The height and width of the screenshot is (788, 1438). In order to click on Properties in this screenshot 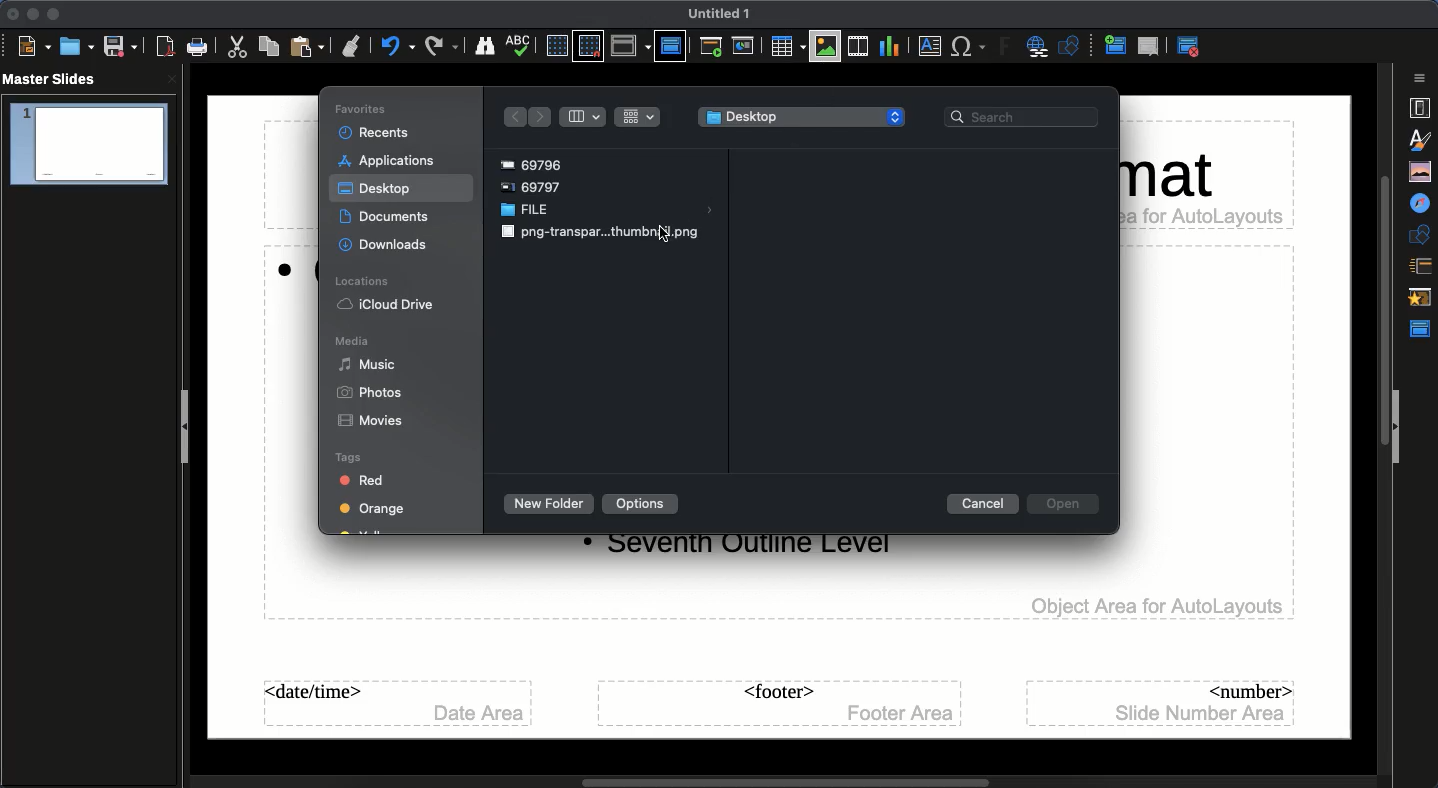, I will do `click(1419, 108)`.